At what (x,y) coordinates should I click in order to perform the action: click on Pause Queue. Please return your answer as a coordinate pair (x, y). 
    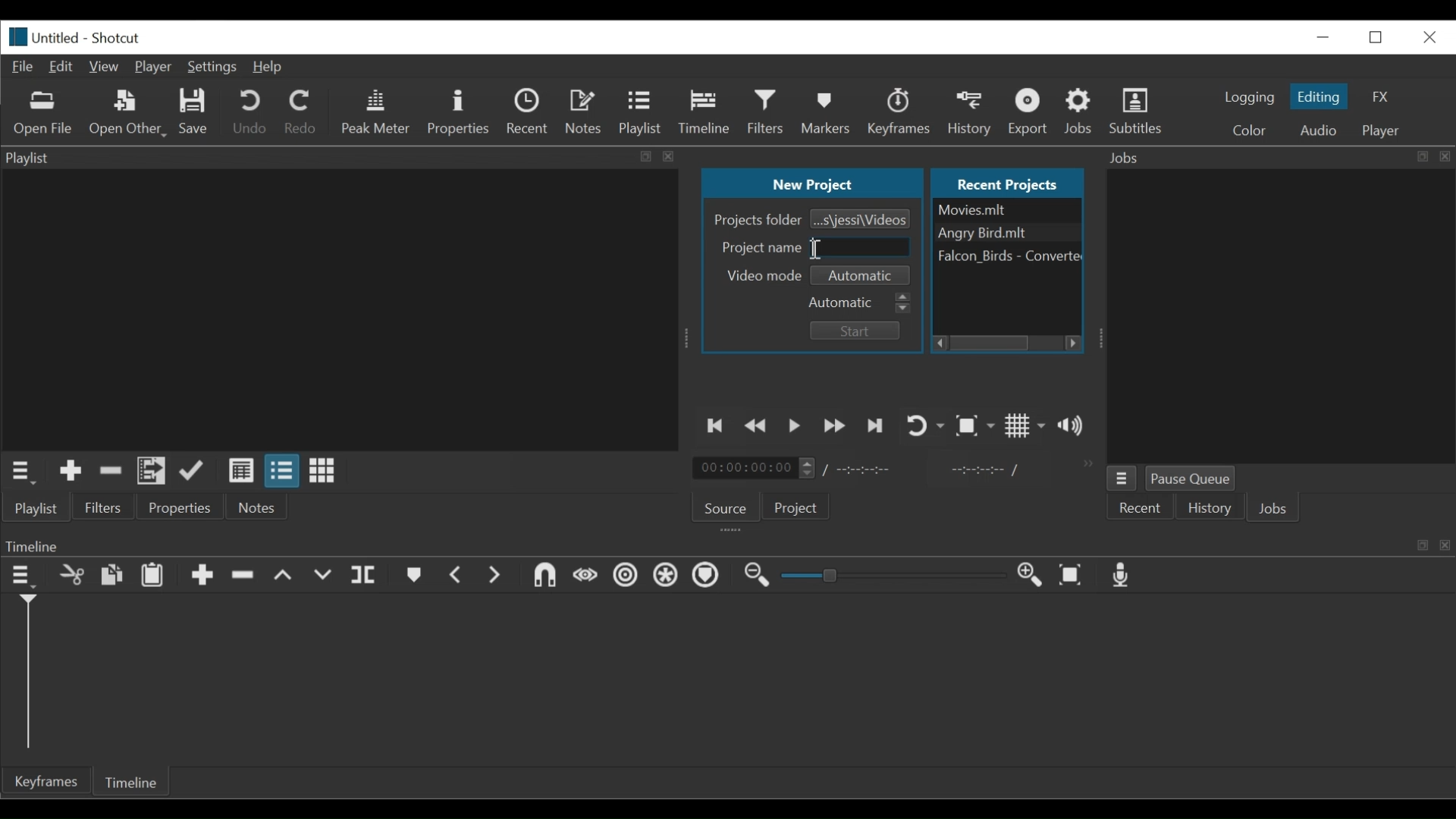
    Looking at the image, I should click on (1195, 478).